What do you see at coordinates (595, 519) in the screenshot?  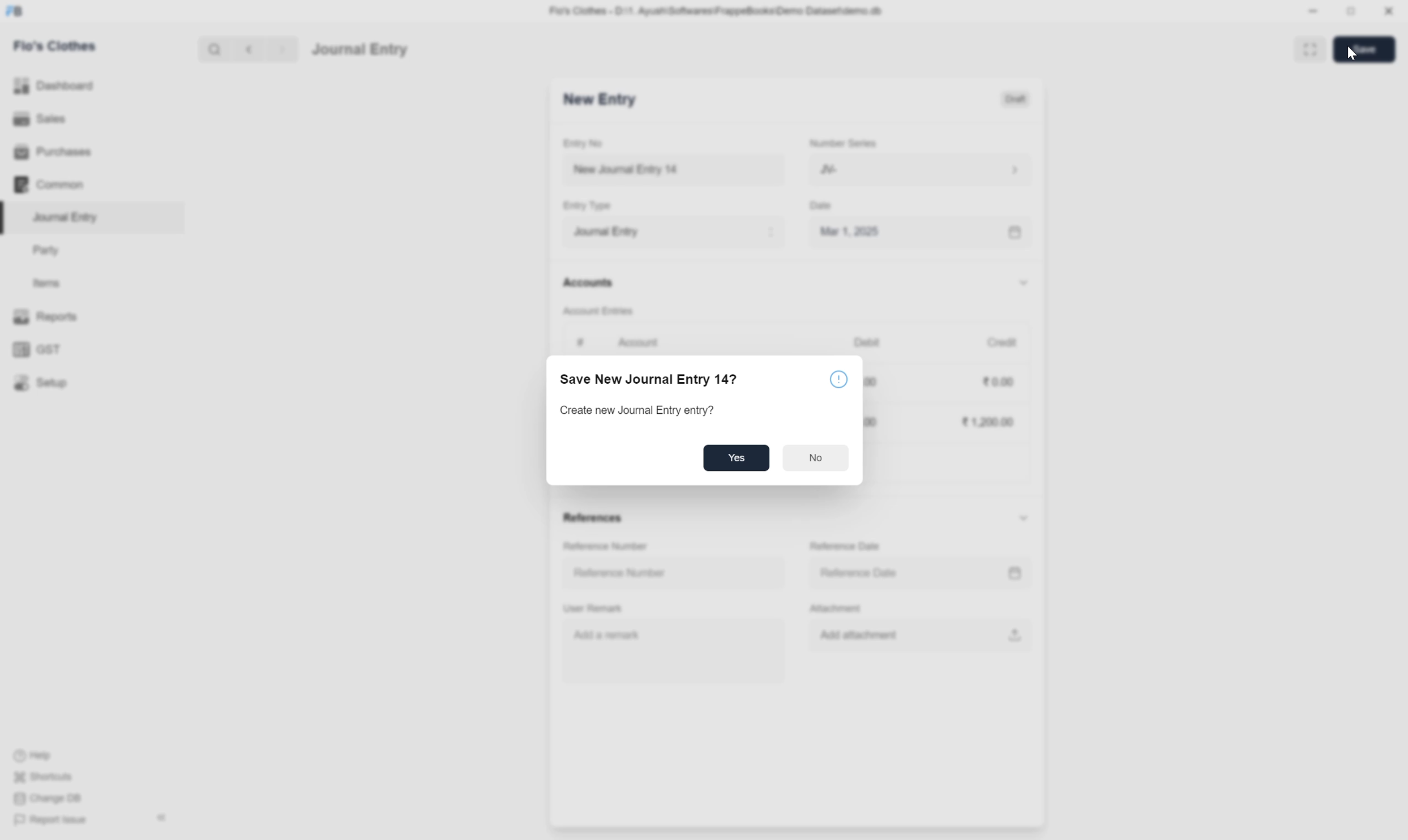 I see `References` at bounding box center [595, 519].